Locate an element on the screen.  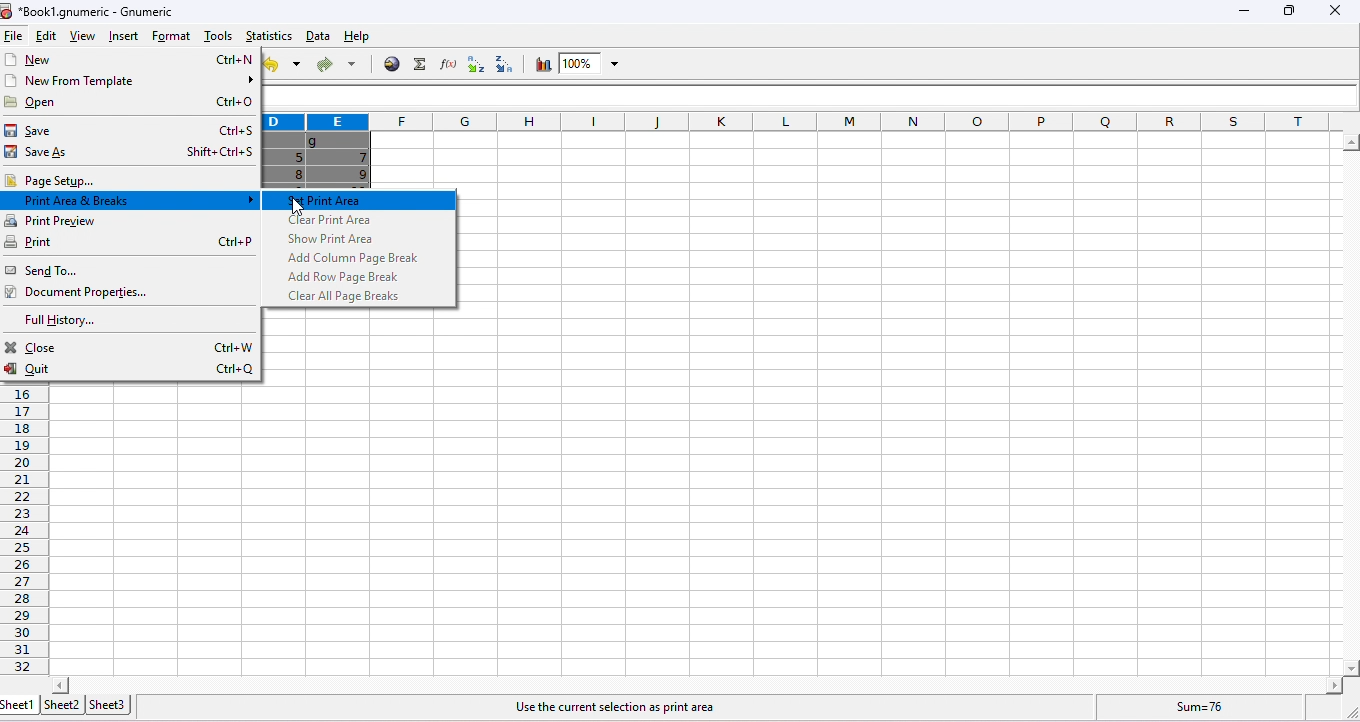
clear print area is located at coordinates (331, 220).